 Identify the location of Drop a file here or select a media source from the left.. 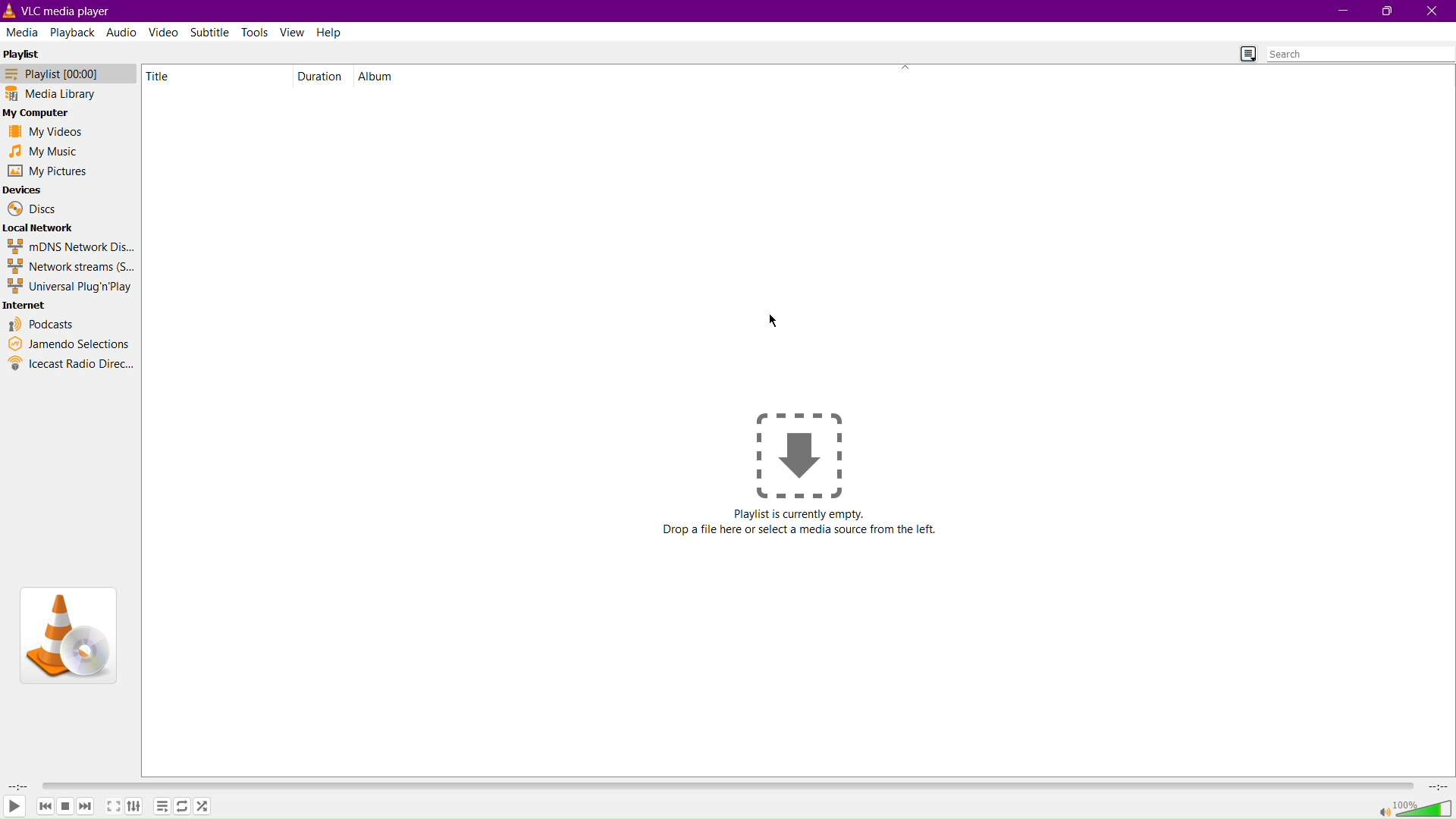
(801, 531).